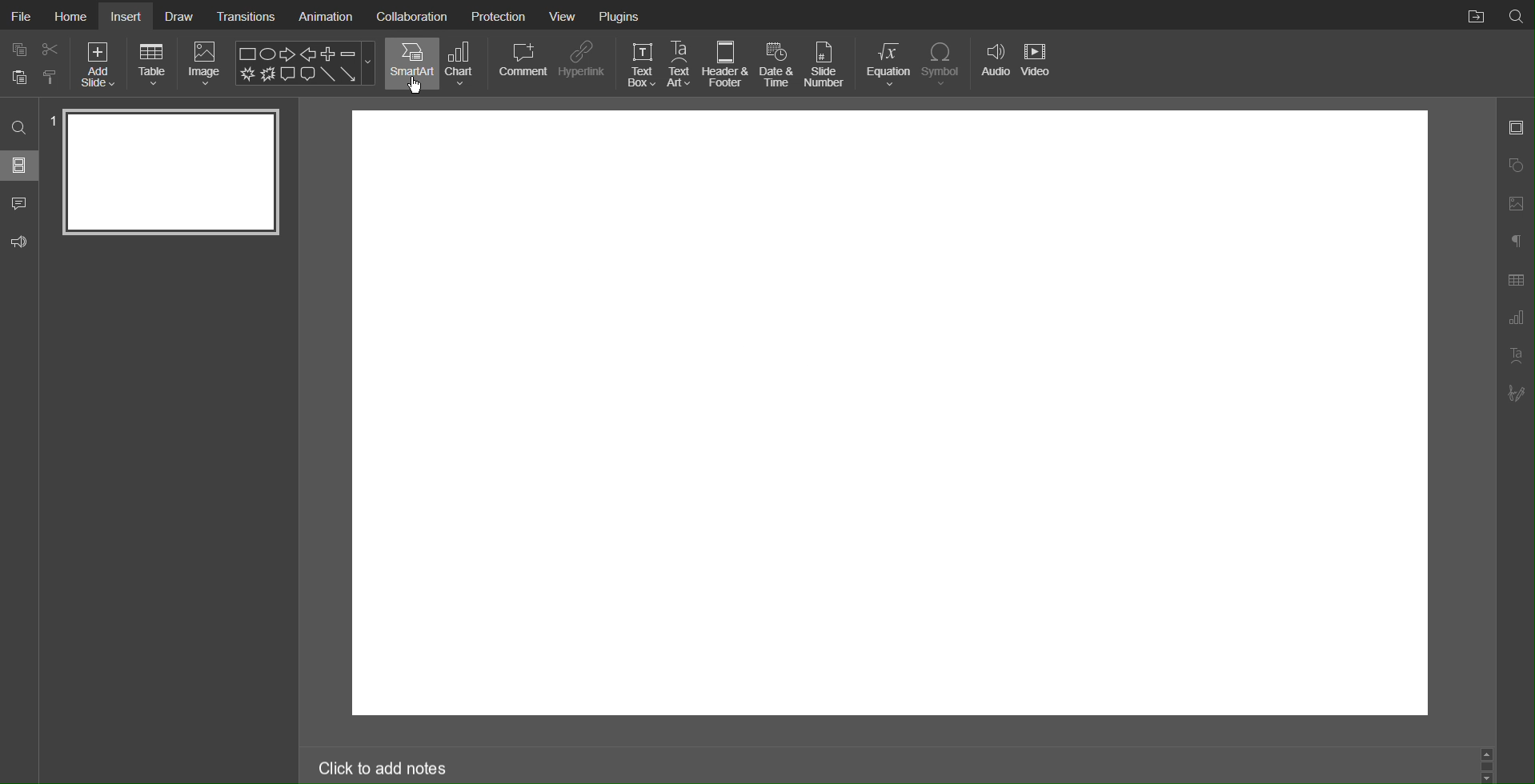 The height and width of the screenshot is (784, 1535). Describe the element at coordinates (384, 766) in the screenshot. I see `Click to add notes` at that location.